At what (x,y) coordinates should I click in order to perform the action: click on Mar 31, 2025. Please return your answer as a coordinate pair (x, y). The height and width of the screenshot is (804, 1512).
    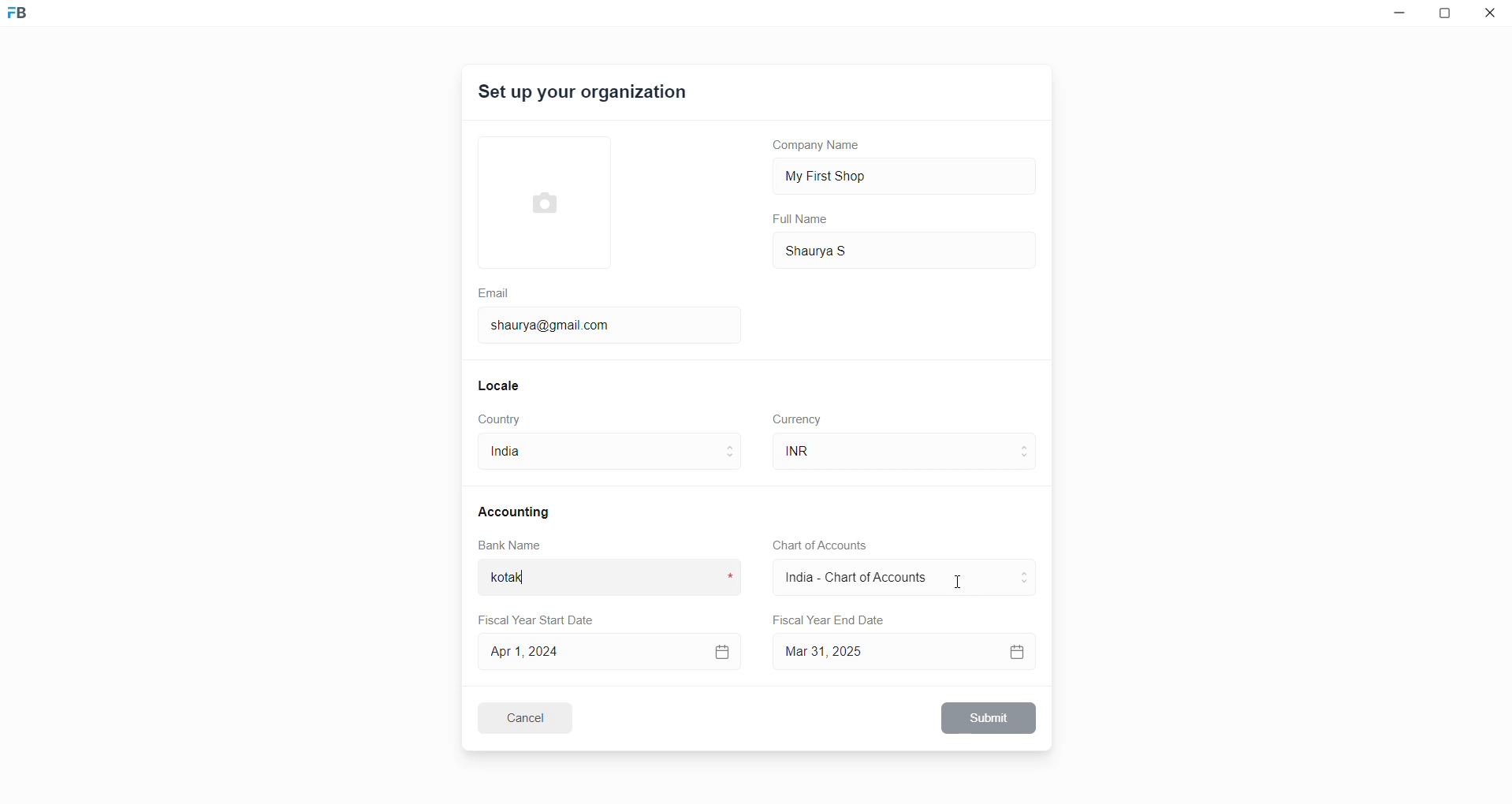
    Looking at the image, I should click on (907, 651).